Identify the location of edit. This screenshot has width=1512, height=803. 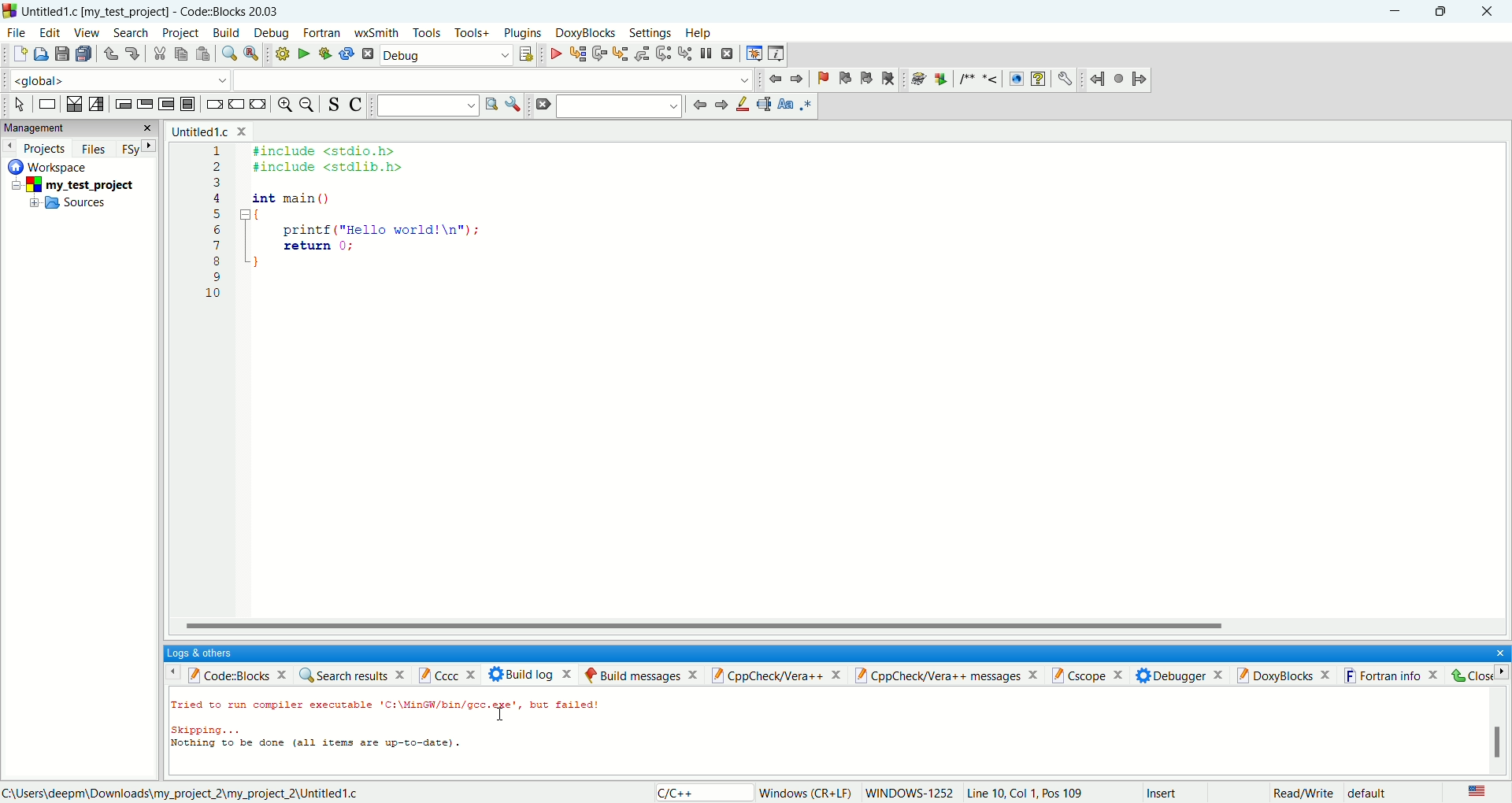
(50, 32).